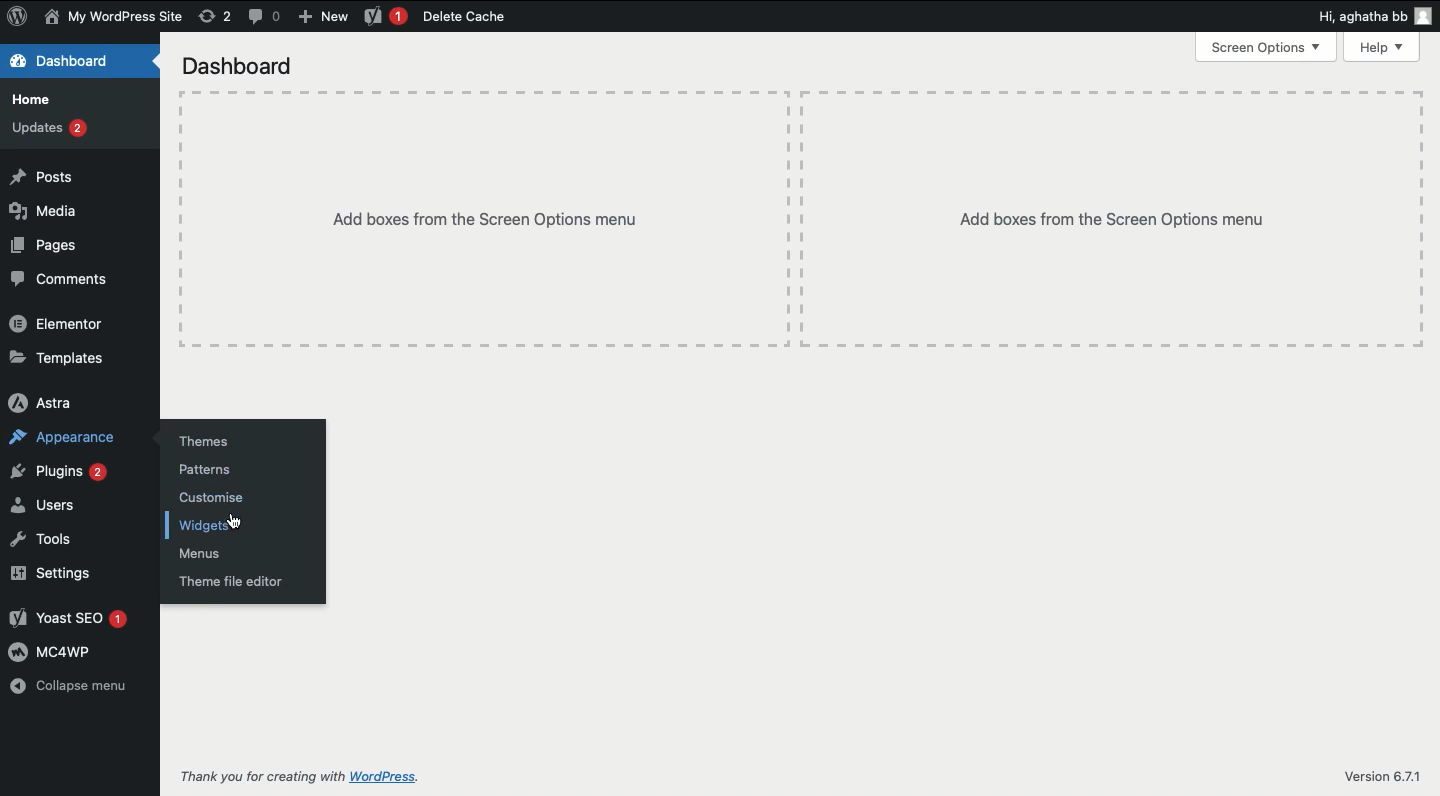 This screenshot has width=1440, height=796. Describe the element at coordinates (307, 774) in the screenshot. I see `Thank you for creating with WordPress.` at that location.